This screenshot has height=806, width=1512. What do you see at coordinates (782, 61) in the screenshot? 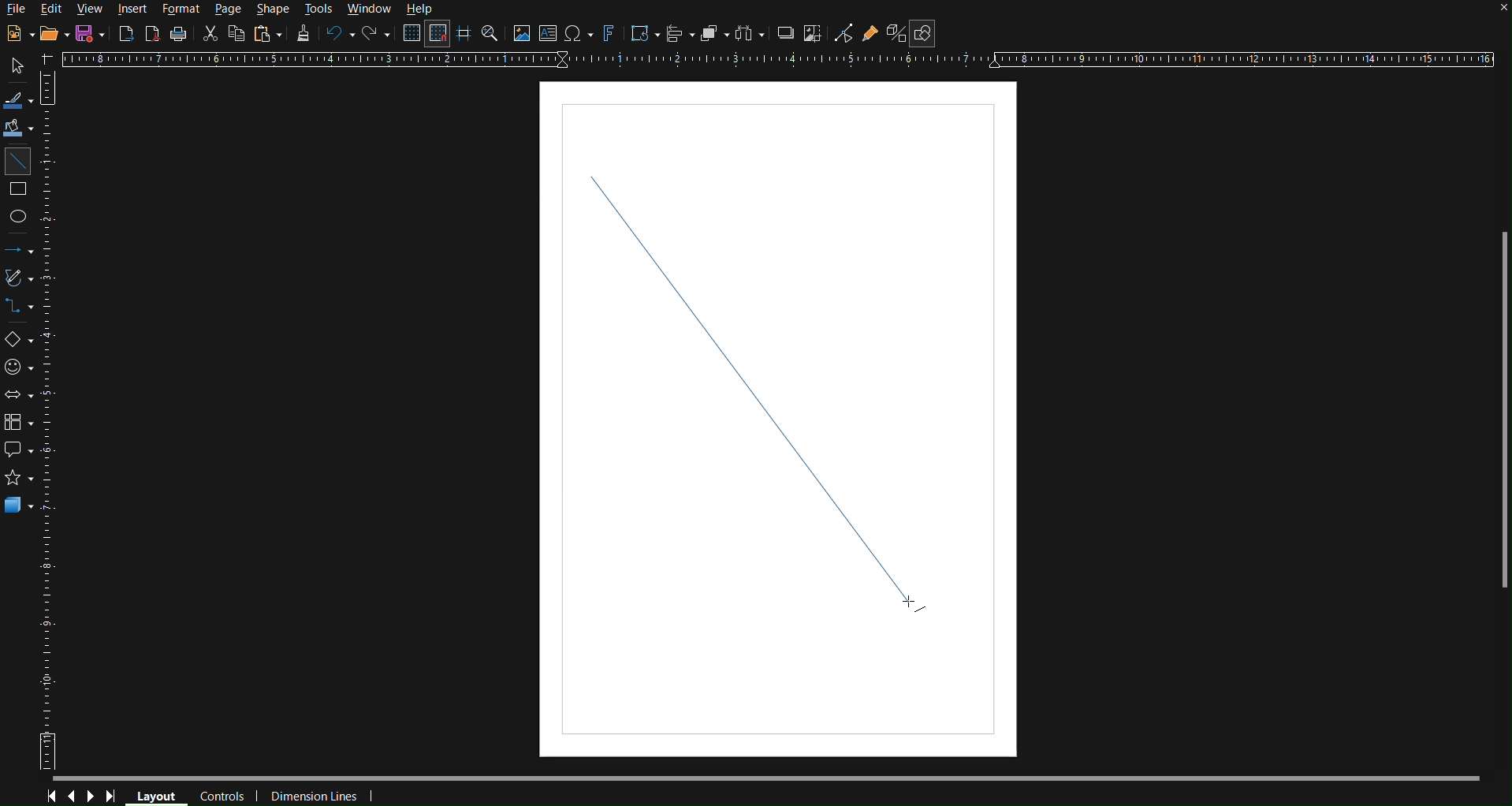
I see `Horizontal Ruler` at bounding box center [782, 61].